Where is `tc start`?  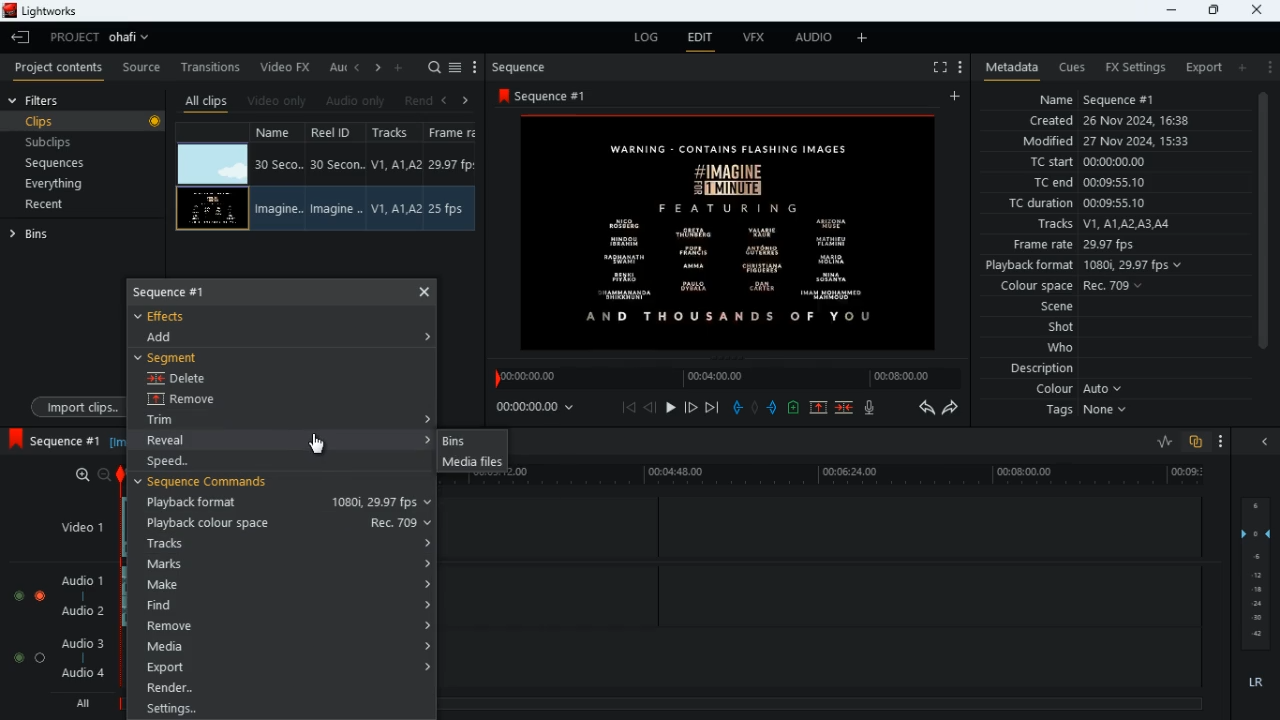
tc start is located at coordinates (1118, 163).